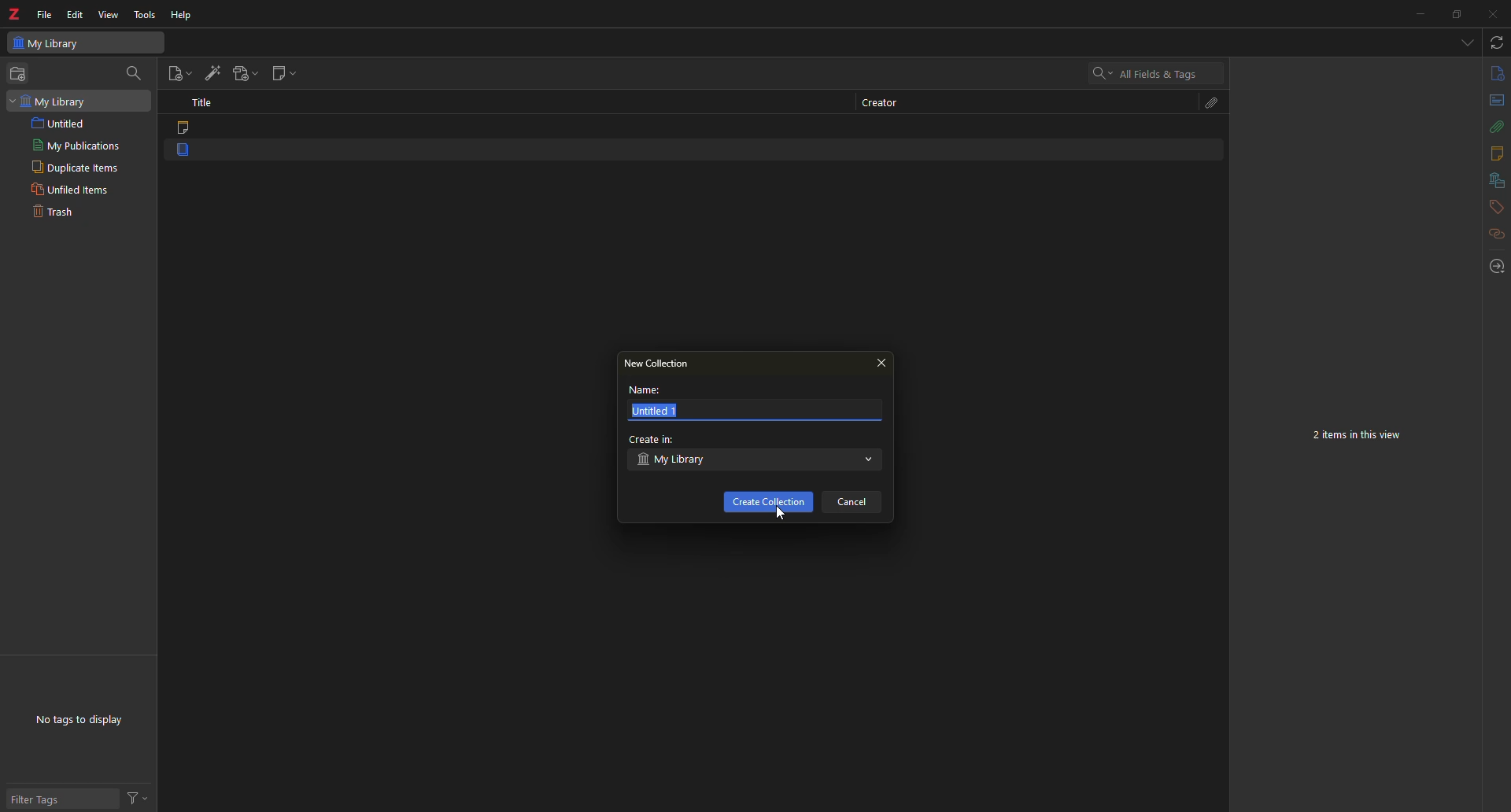 The width and height of the screenshot is (1511, 812). What do you see at coordinates (205, 101) in the screenshot?
I see `title` at bounding box center [205, 101].